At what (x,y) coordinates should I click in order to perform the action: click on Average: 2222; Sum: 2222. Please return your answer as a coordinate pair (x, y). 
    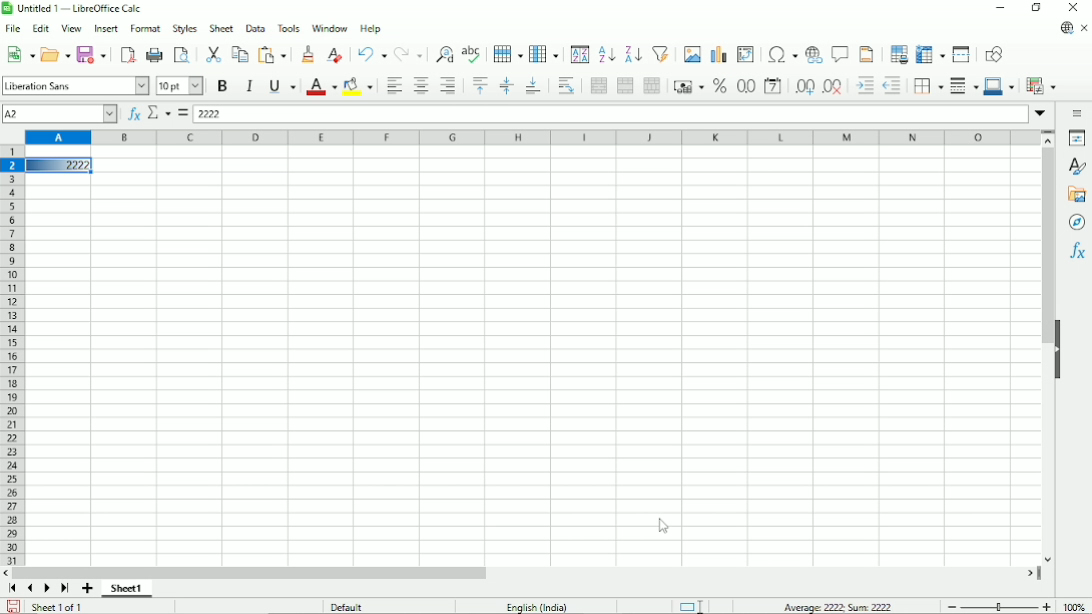
    Looking at the image, I should click on (838, 606).